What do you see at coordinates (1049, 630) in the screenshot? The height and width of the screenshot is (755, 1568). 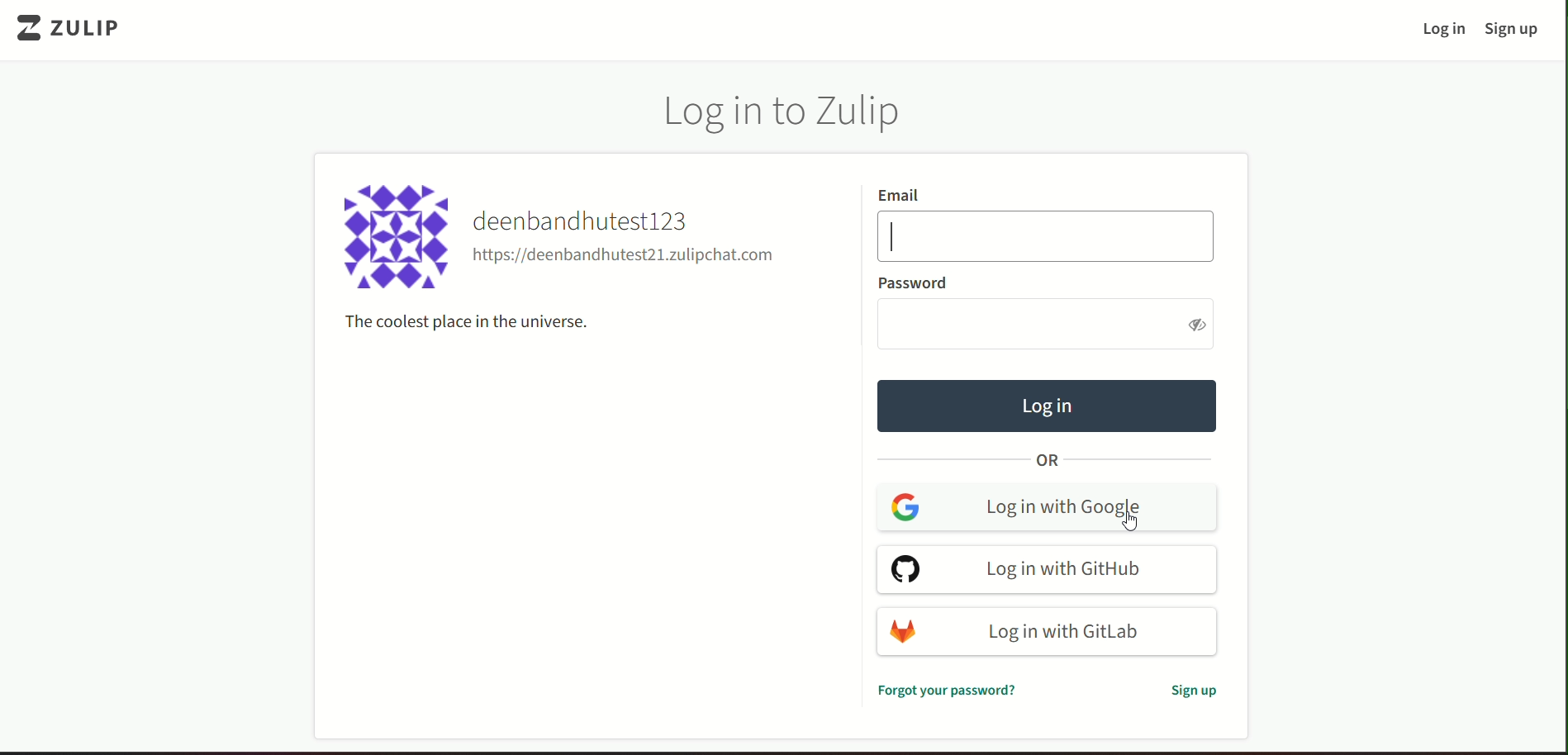 I see `button` at bounding box center [1049, 630].